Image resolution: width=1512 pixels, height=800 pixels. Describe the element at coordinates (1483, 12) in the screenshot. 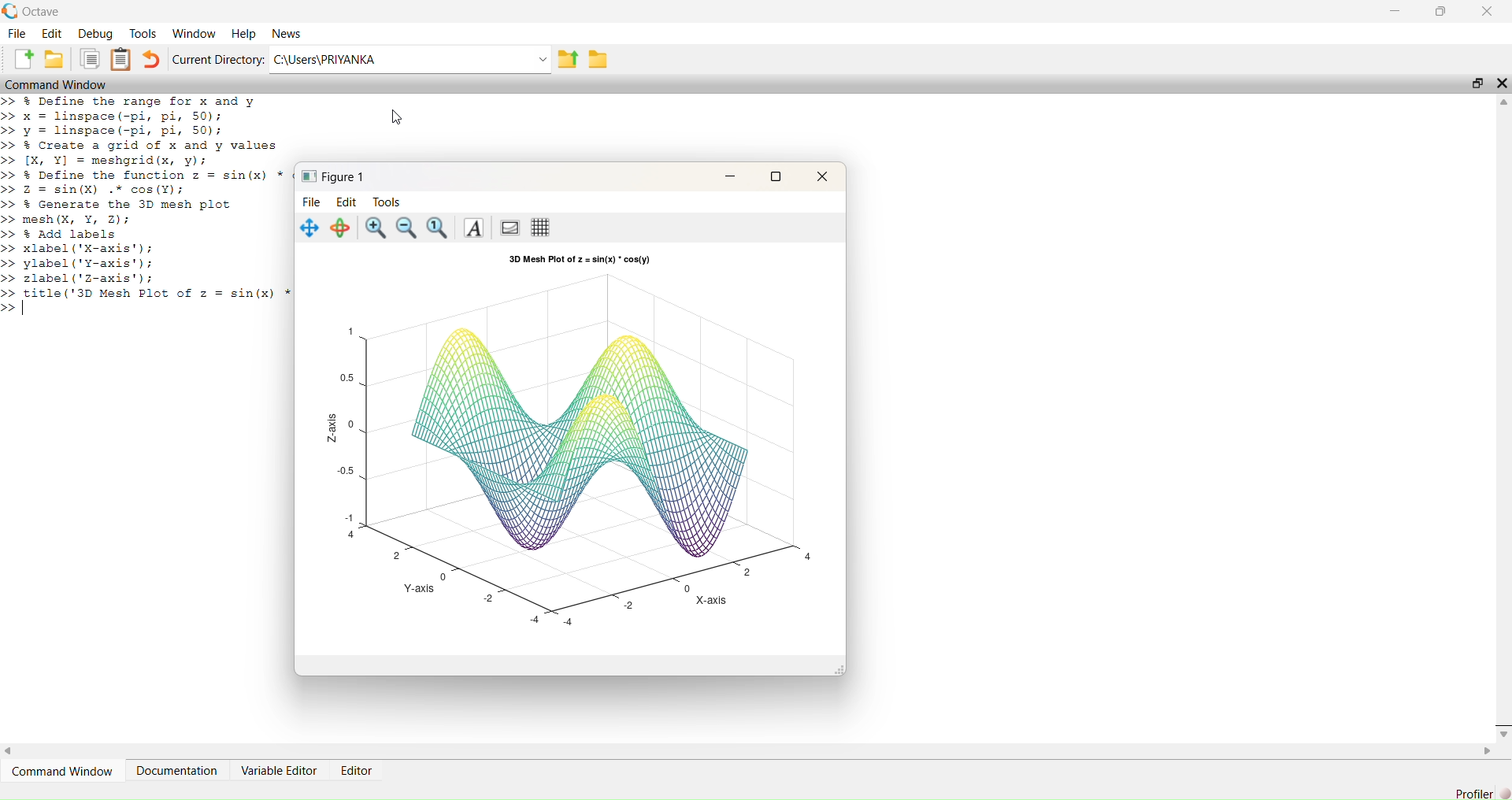

I see `Close` at that location.